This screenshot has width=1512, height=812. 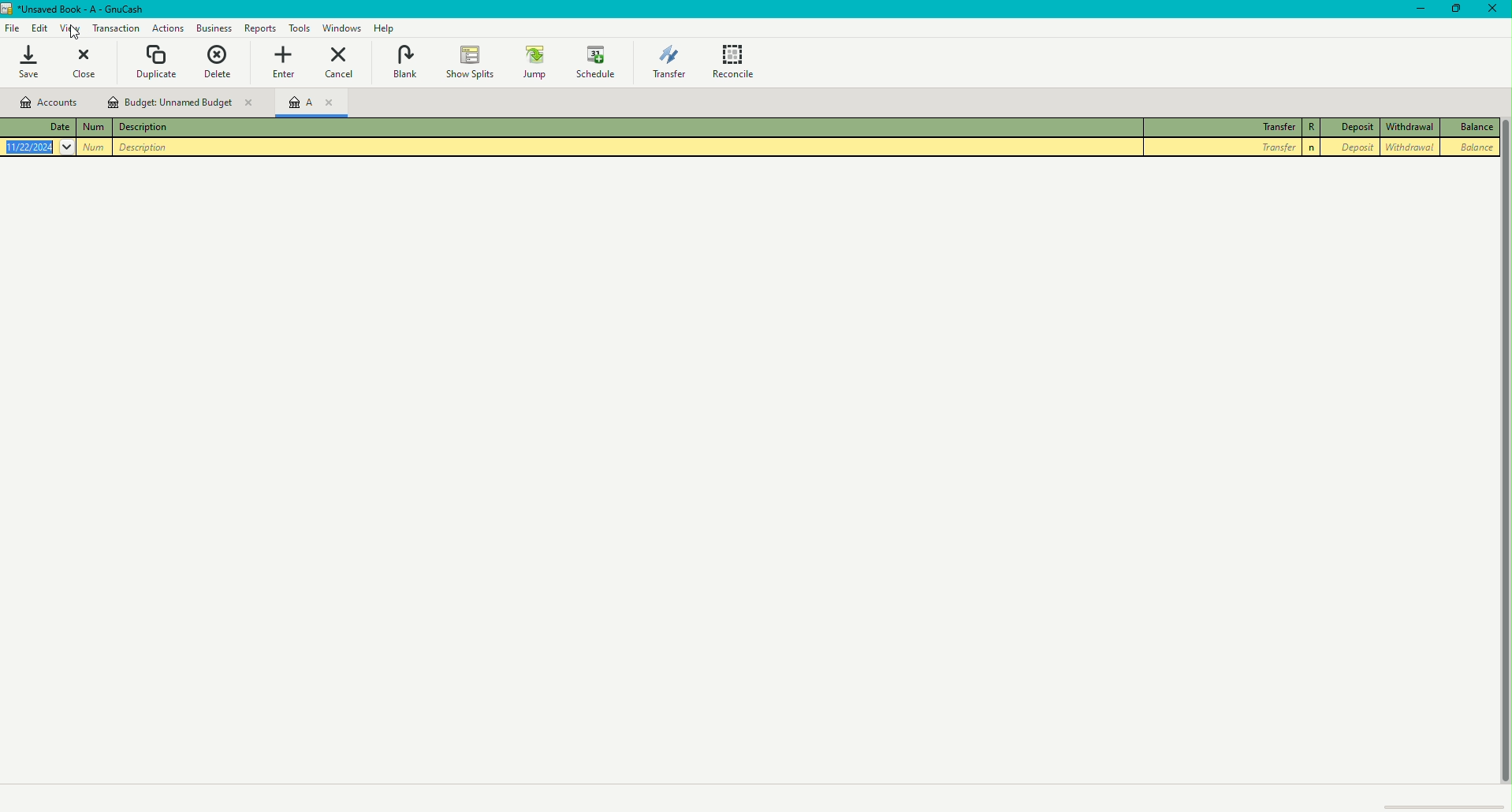 I want to click on Minimize, so click(x=1415, y=9).